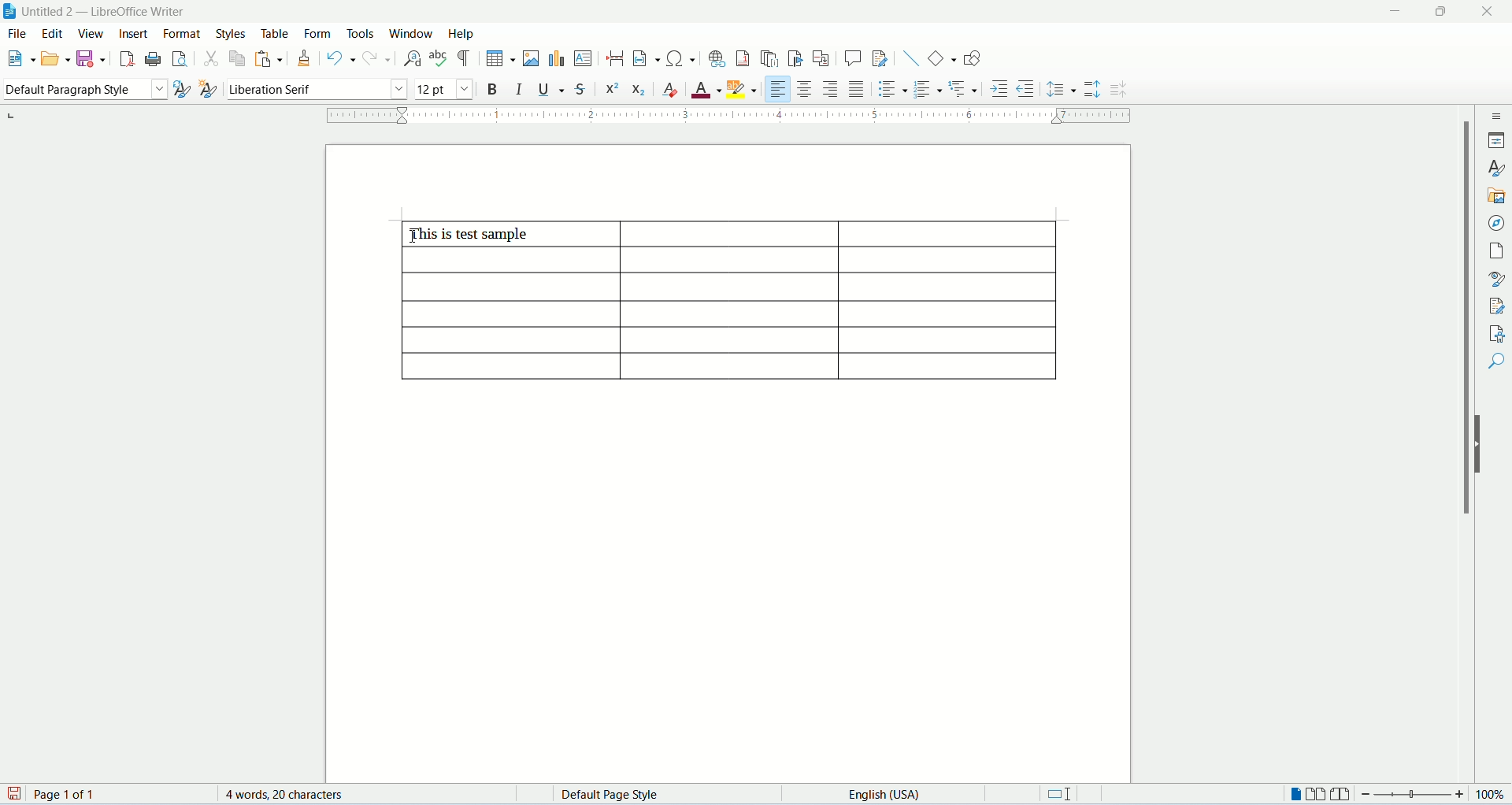  Describe the element at coordinates (499, 57) in the screenshot. I see `insert table` at that location.